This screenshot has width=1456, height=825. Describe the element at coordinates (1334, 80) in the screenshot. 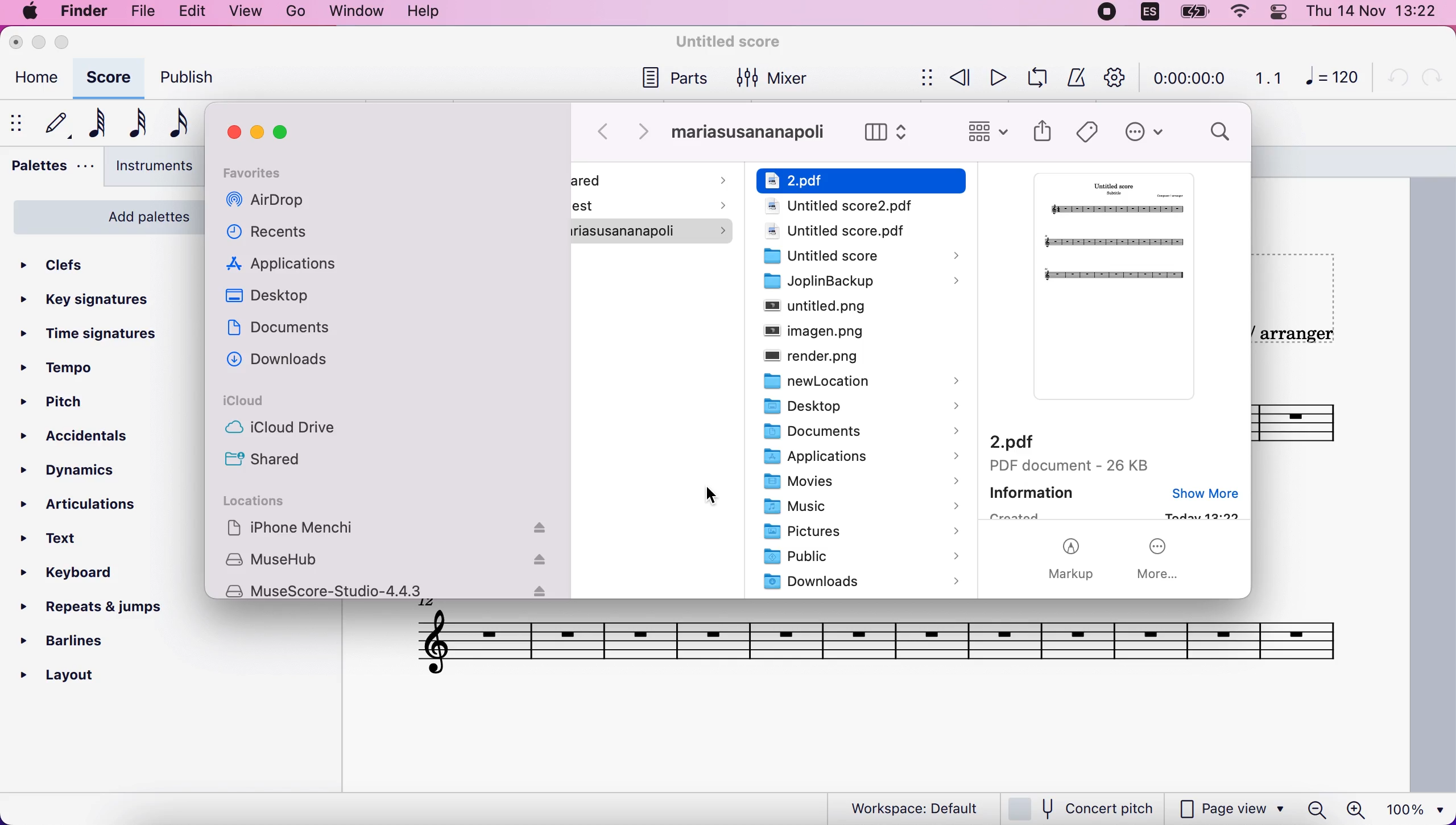

I see `120` at that location.